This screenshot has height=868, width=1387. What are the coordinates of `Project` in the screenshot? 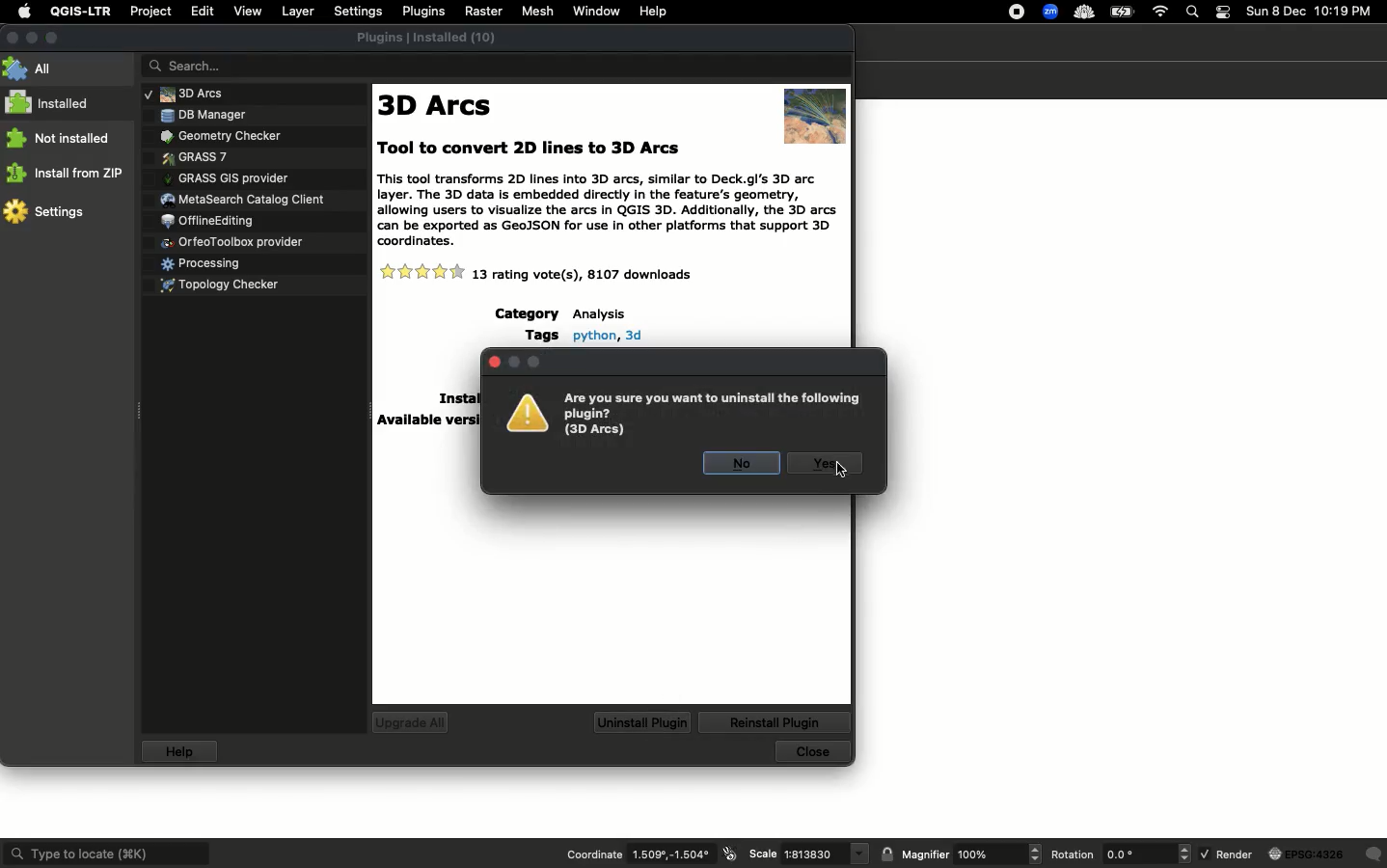 It's located at (150, 11).